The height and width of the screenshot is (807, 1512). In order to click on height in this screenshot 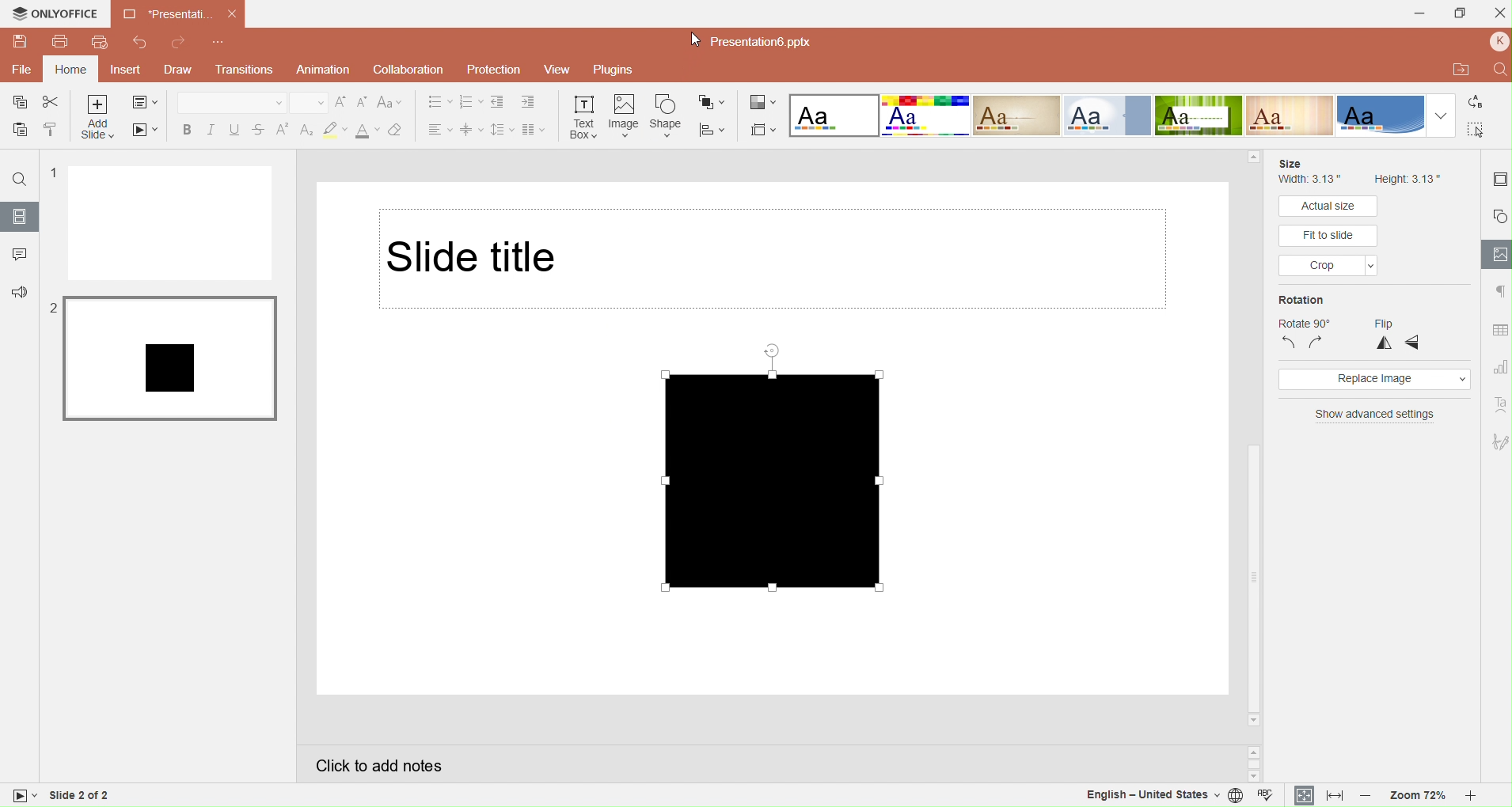, I will do `click(1406, 180)`.